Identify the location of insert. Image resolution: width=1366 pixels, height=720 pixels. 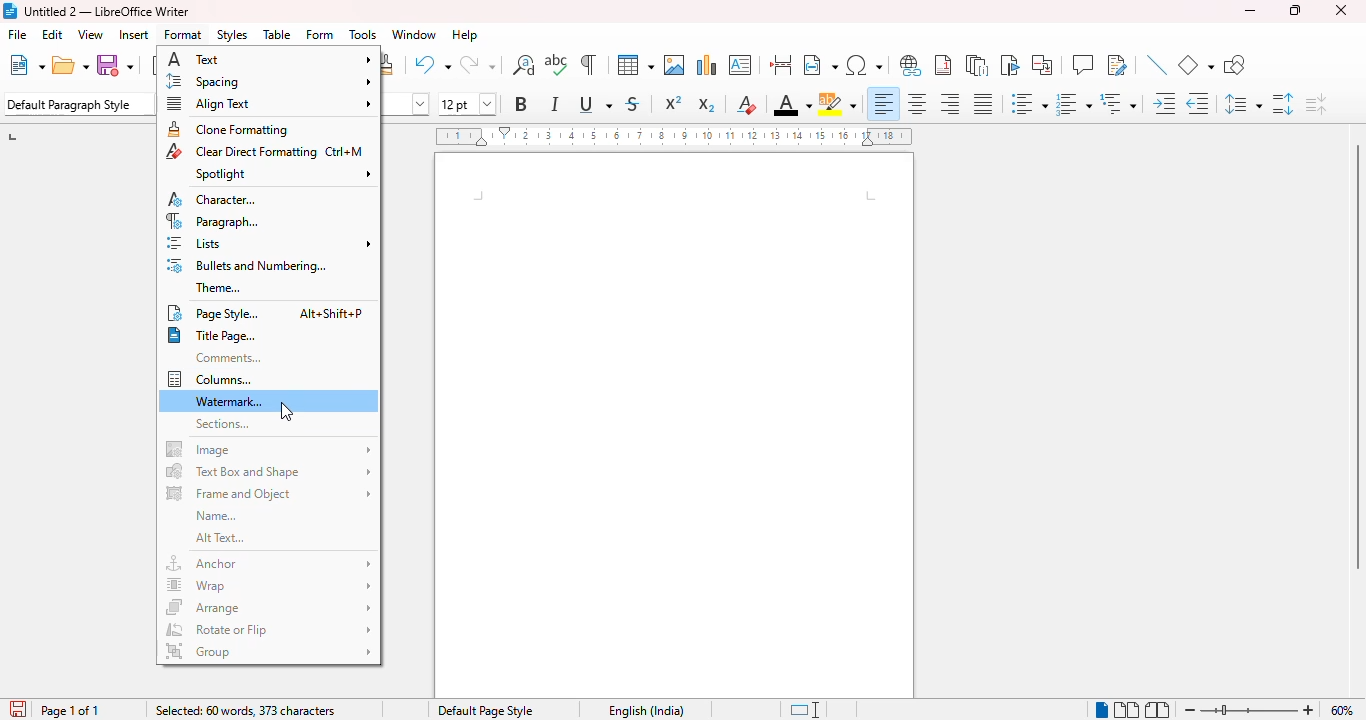
(134, 34).